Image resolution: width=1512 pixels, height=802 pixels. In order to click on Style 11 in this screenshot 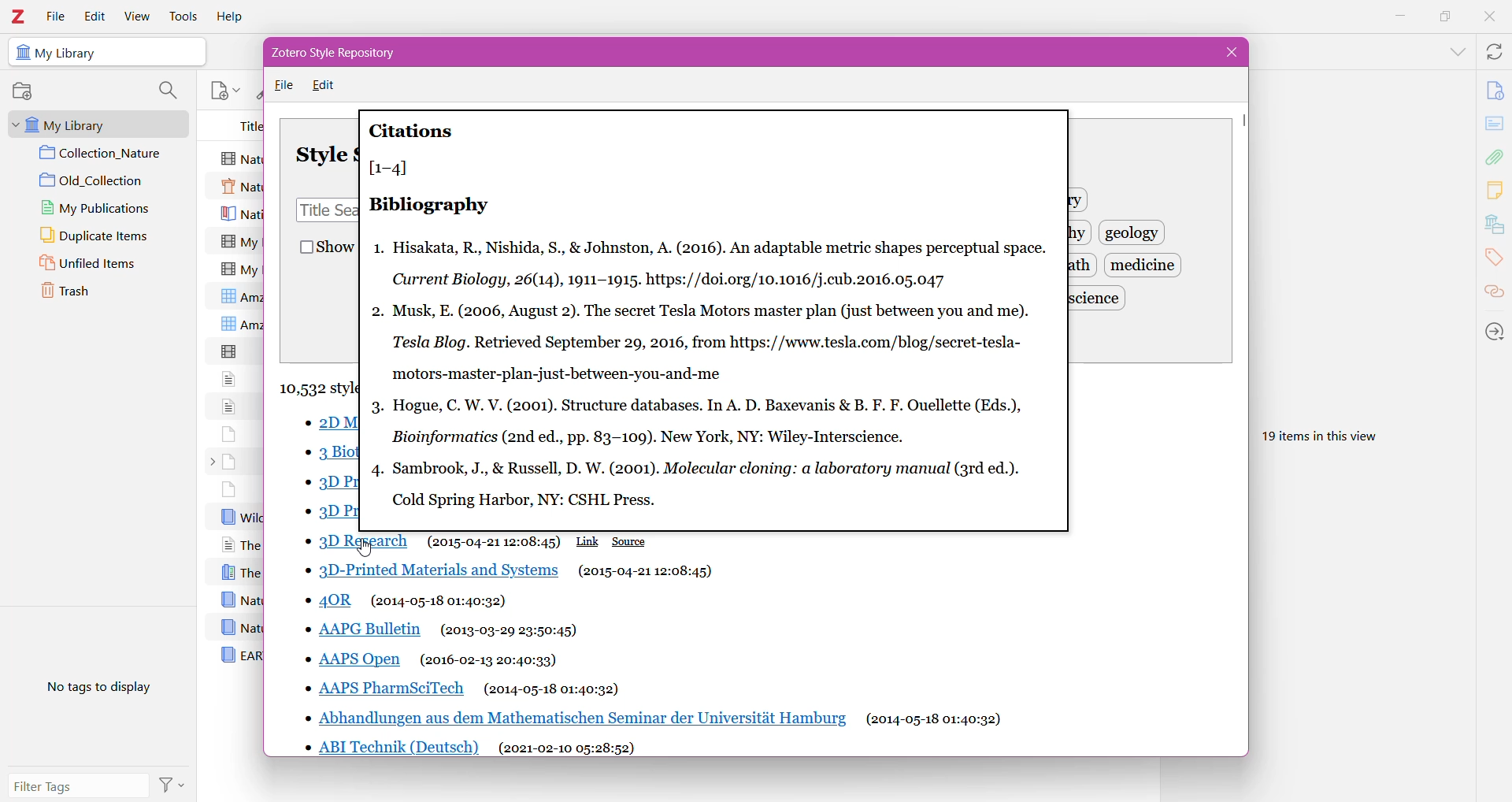, I will do `click(580, 717)`.